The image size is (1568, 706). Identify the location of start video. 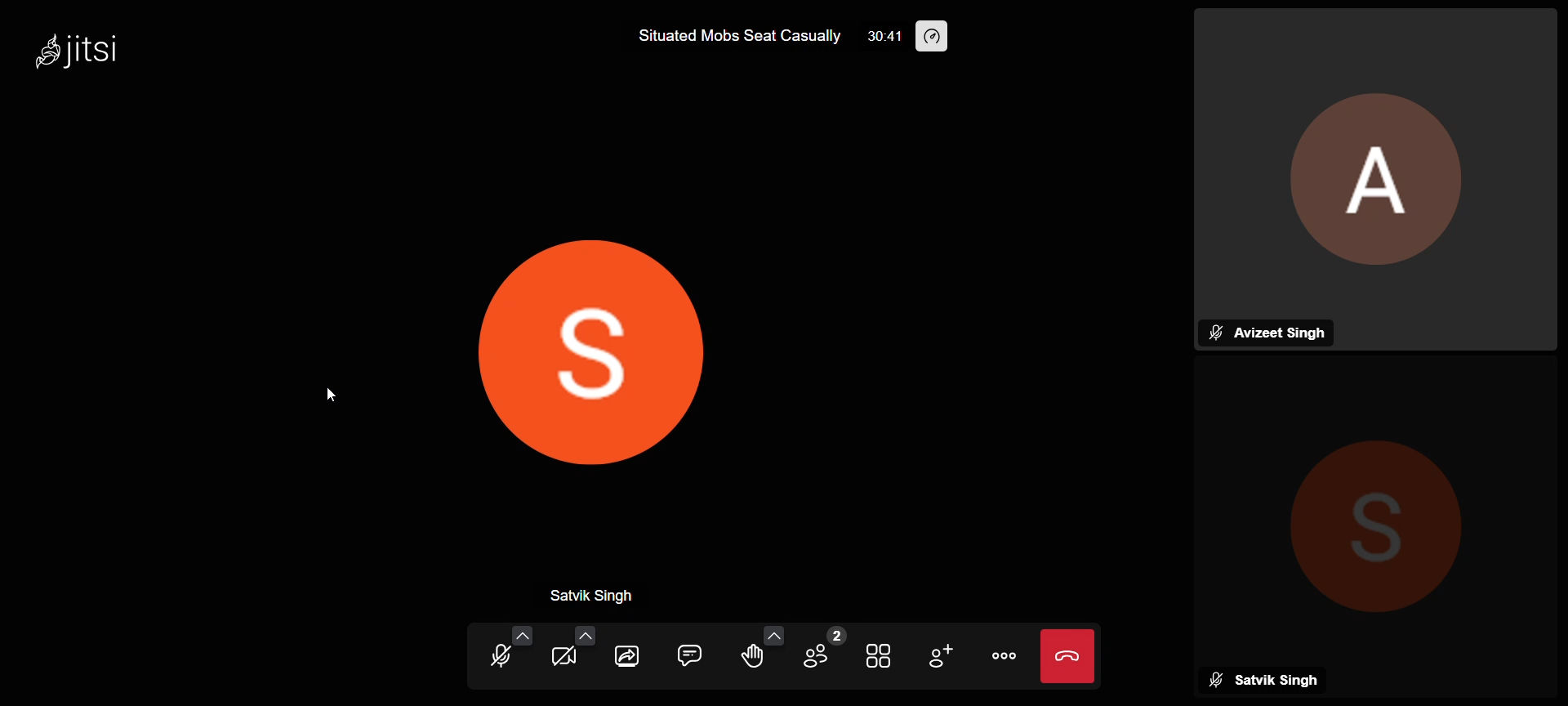
(563, 658).